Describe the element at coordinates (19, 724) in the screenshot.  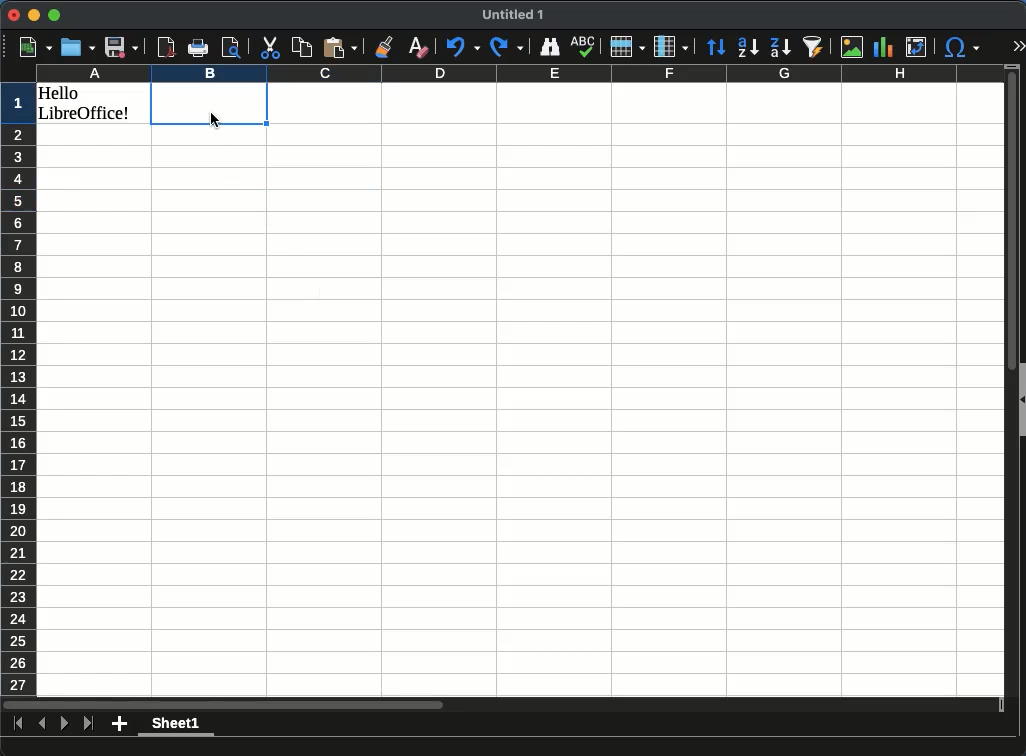
I see `last sheet` at that location.